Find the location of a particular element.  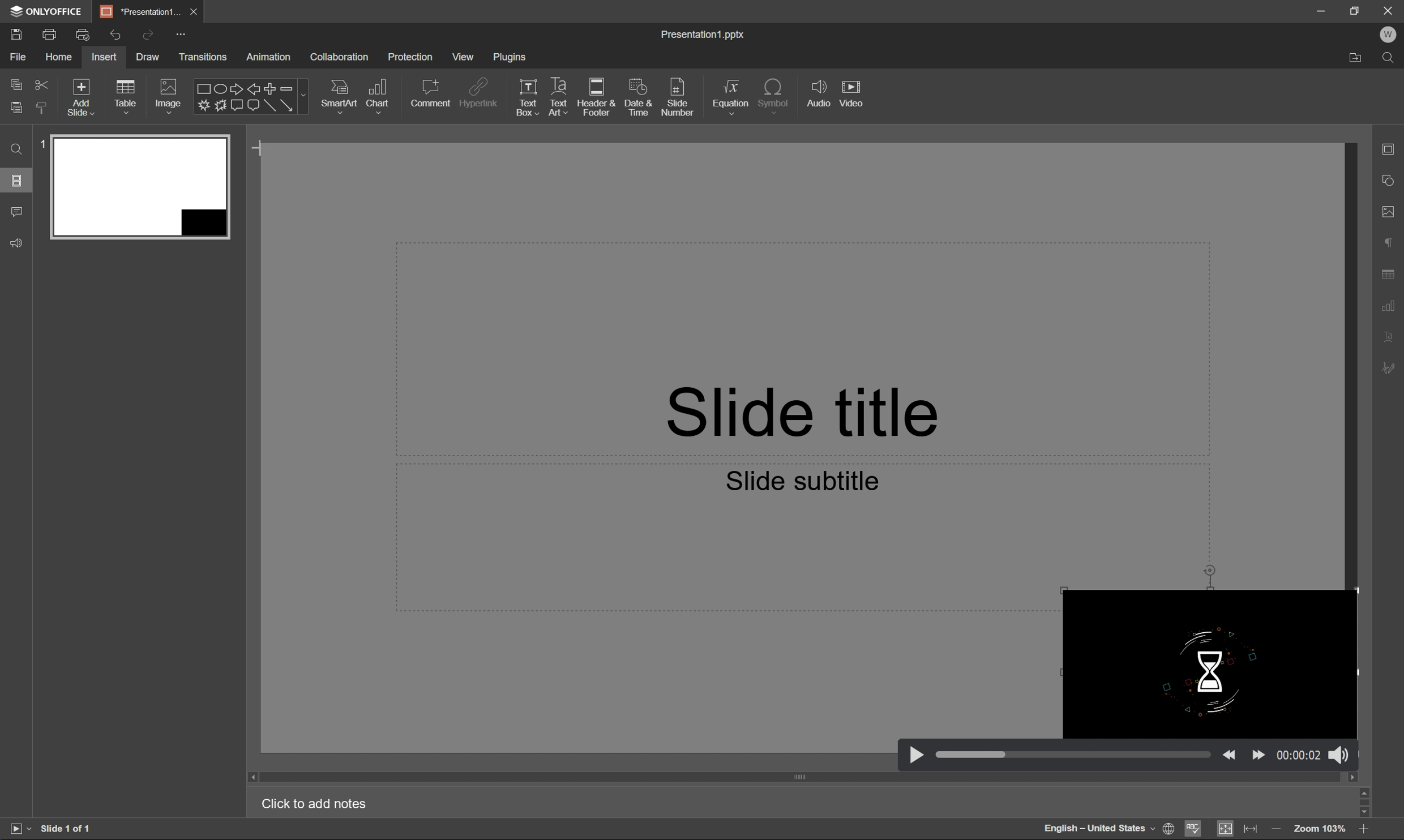

copy style is located at coordinates (40, 108).